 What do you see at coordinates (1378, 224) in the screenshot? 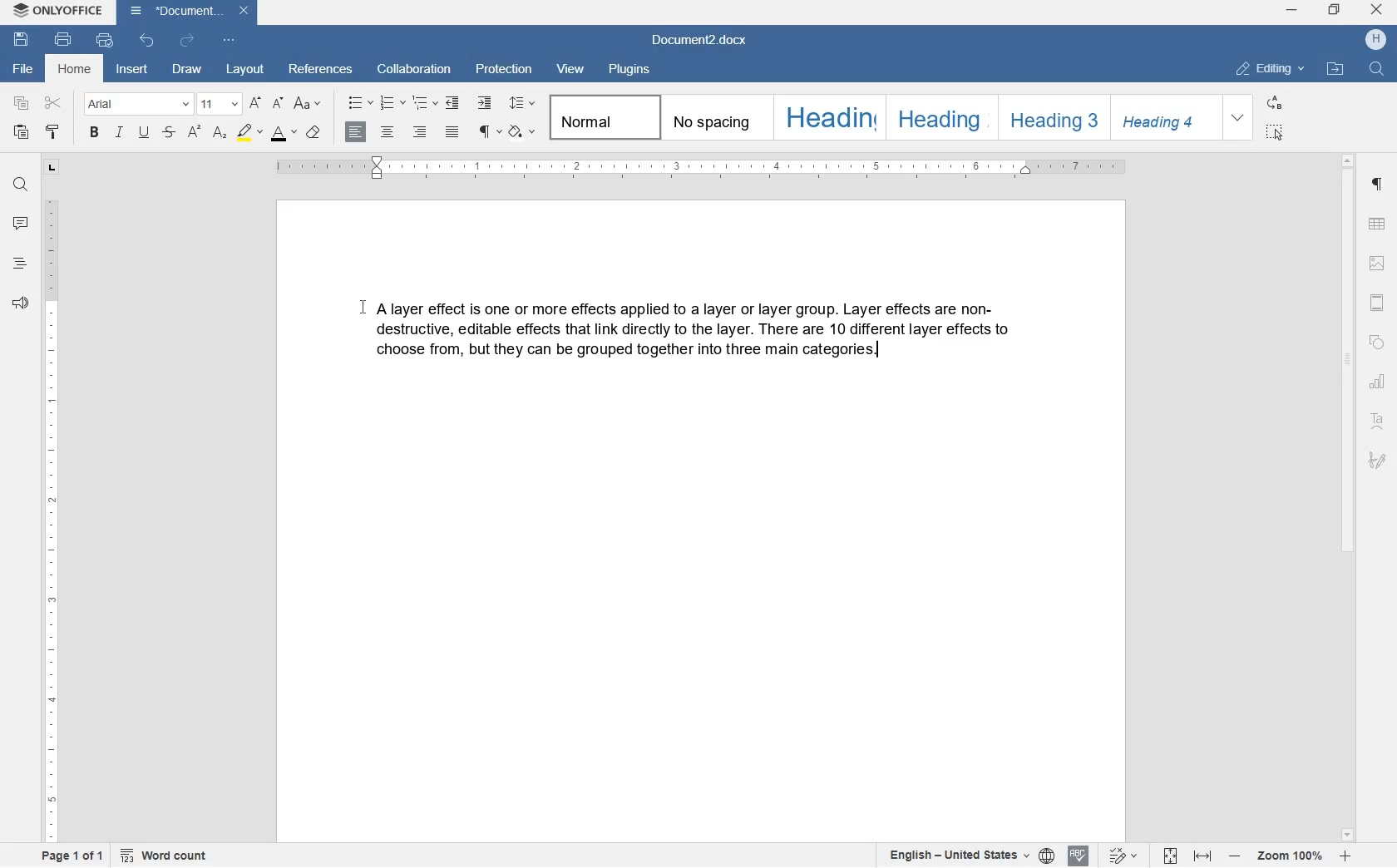
I see `table` at bounding box center [1378, 224].